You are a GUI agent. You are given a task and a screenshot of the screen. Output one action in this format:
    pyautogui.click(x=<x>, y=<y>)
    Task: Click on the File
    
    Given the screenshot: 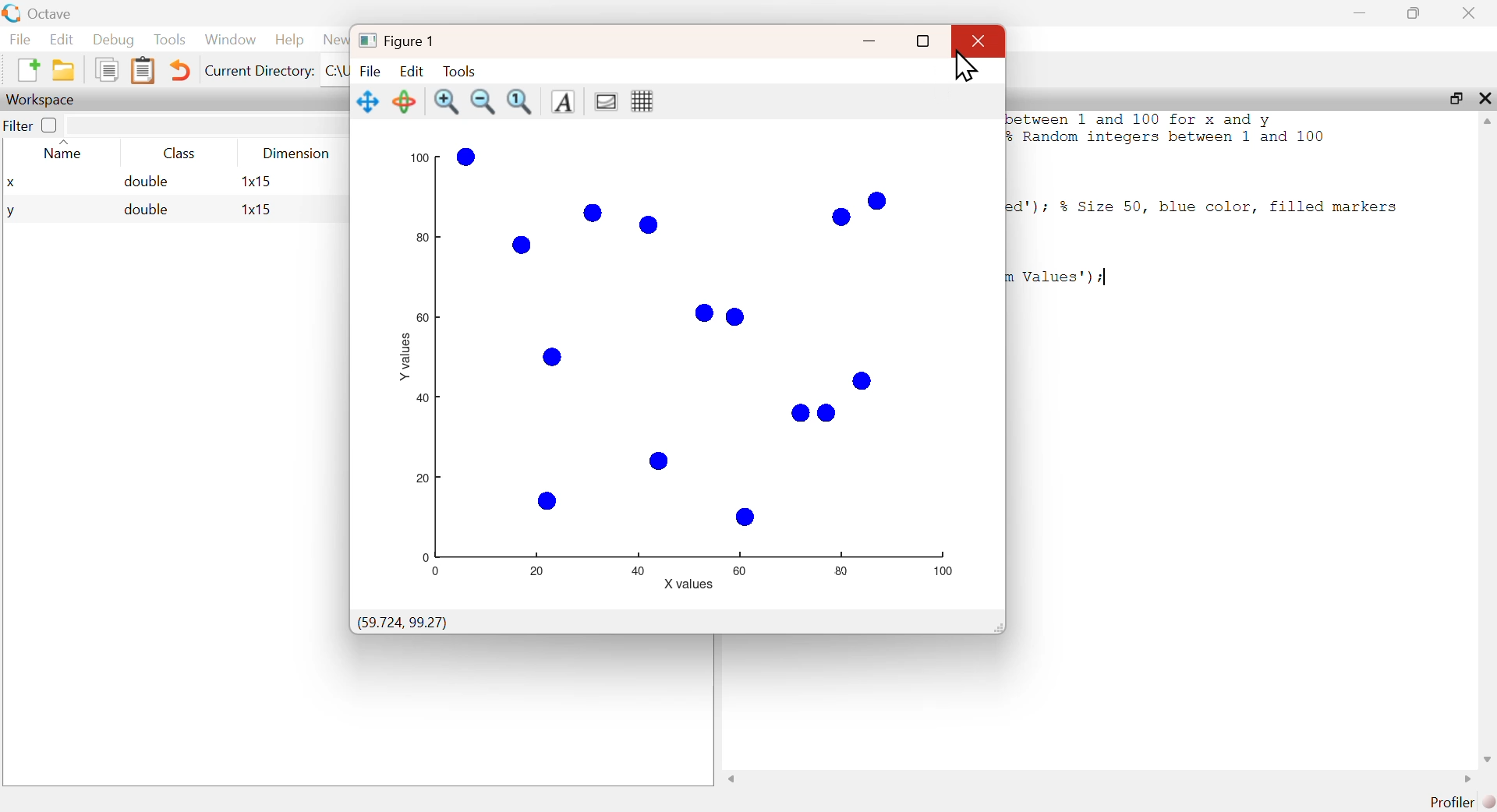 What is the action you would take?
    pyautogui.click(x=370, y=72)
    